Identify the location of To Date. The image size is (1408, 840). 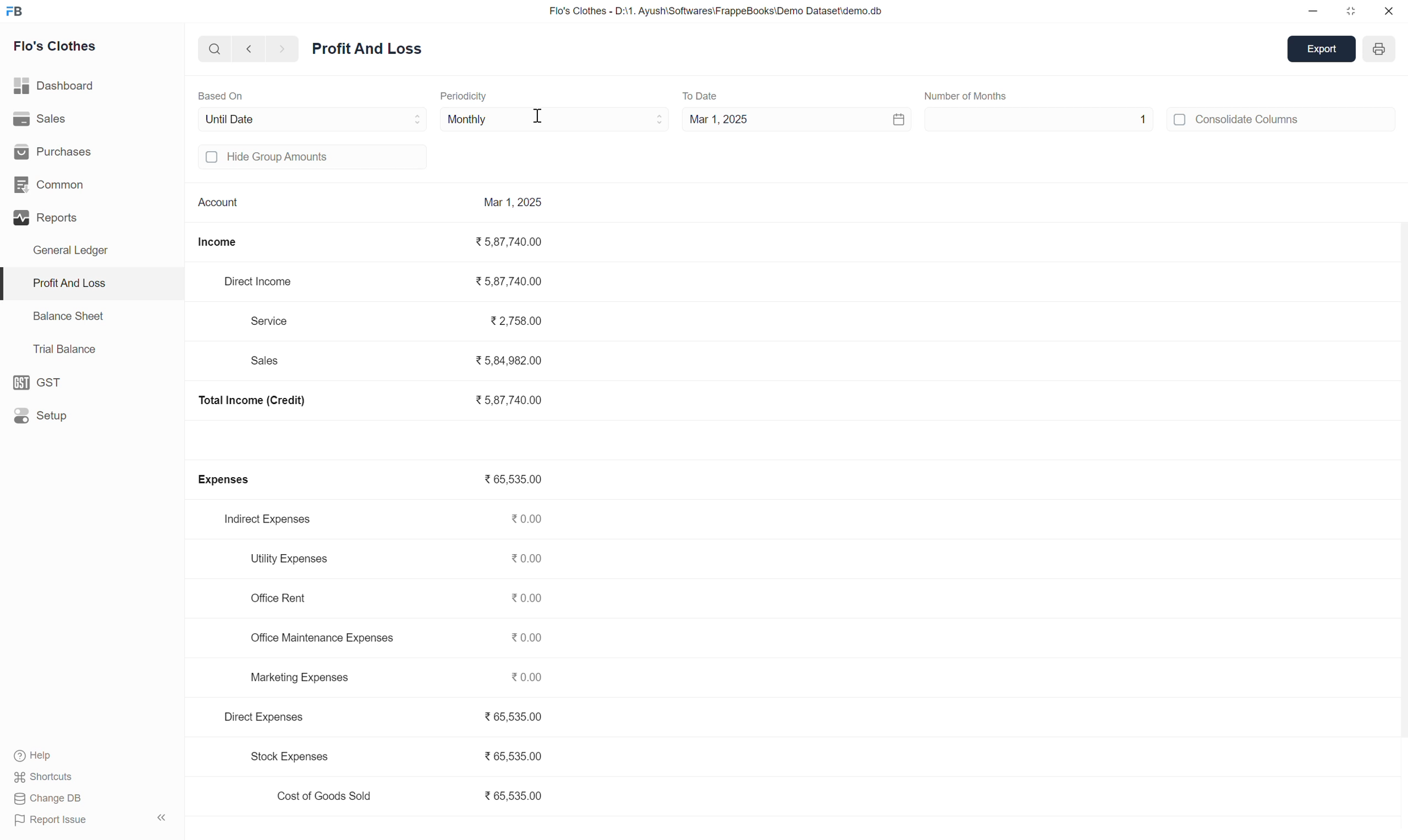
(704, 93).